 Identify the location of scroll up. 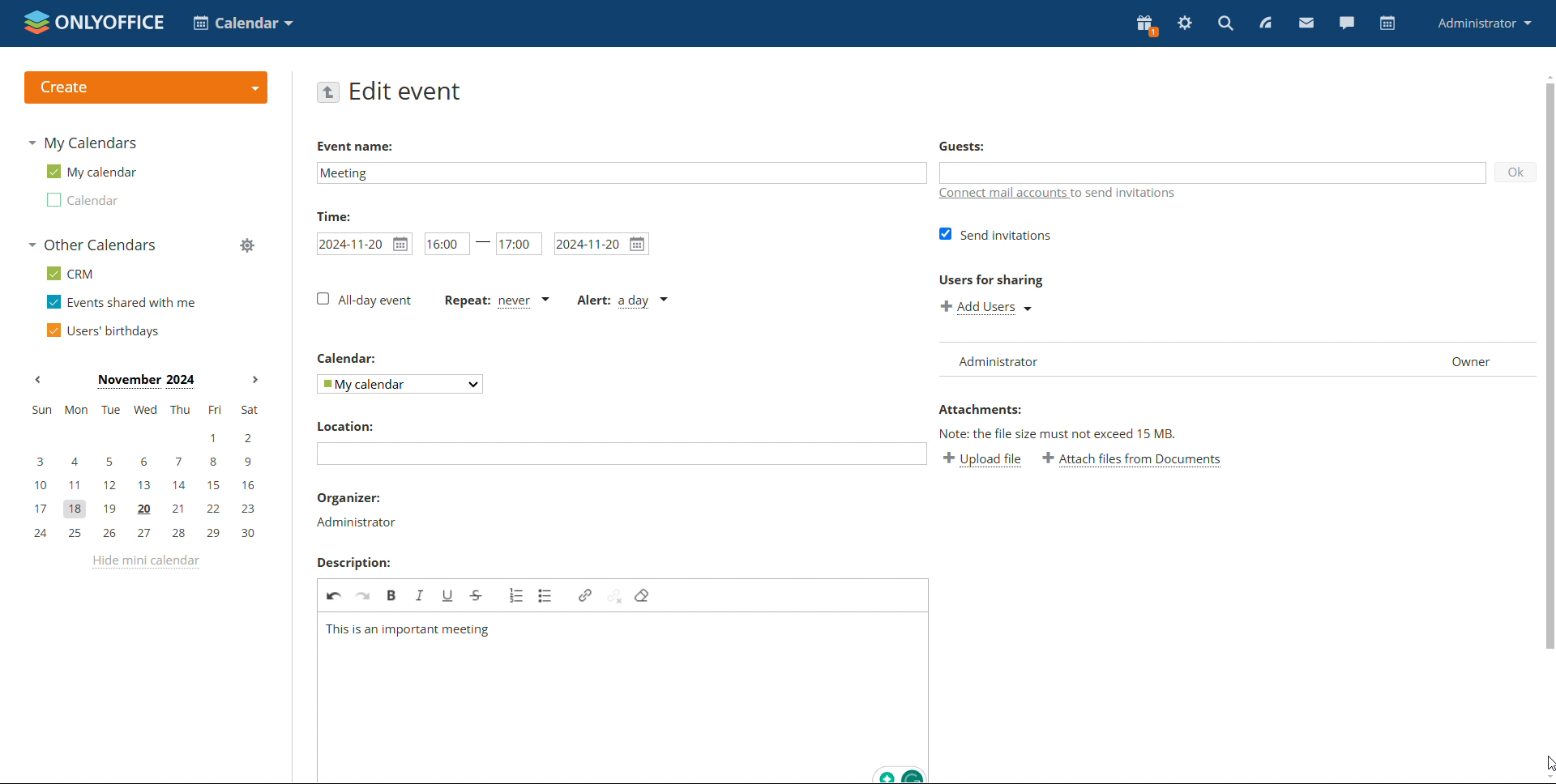
(1546, 75).